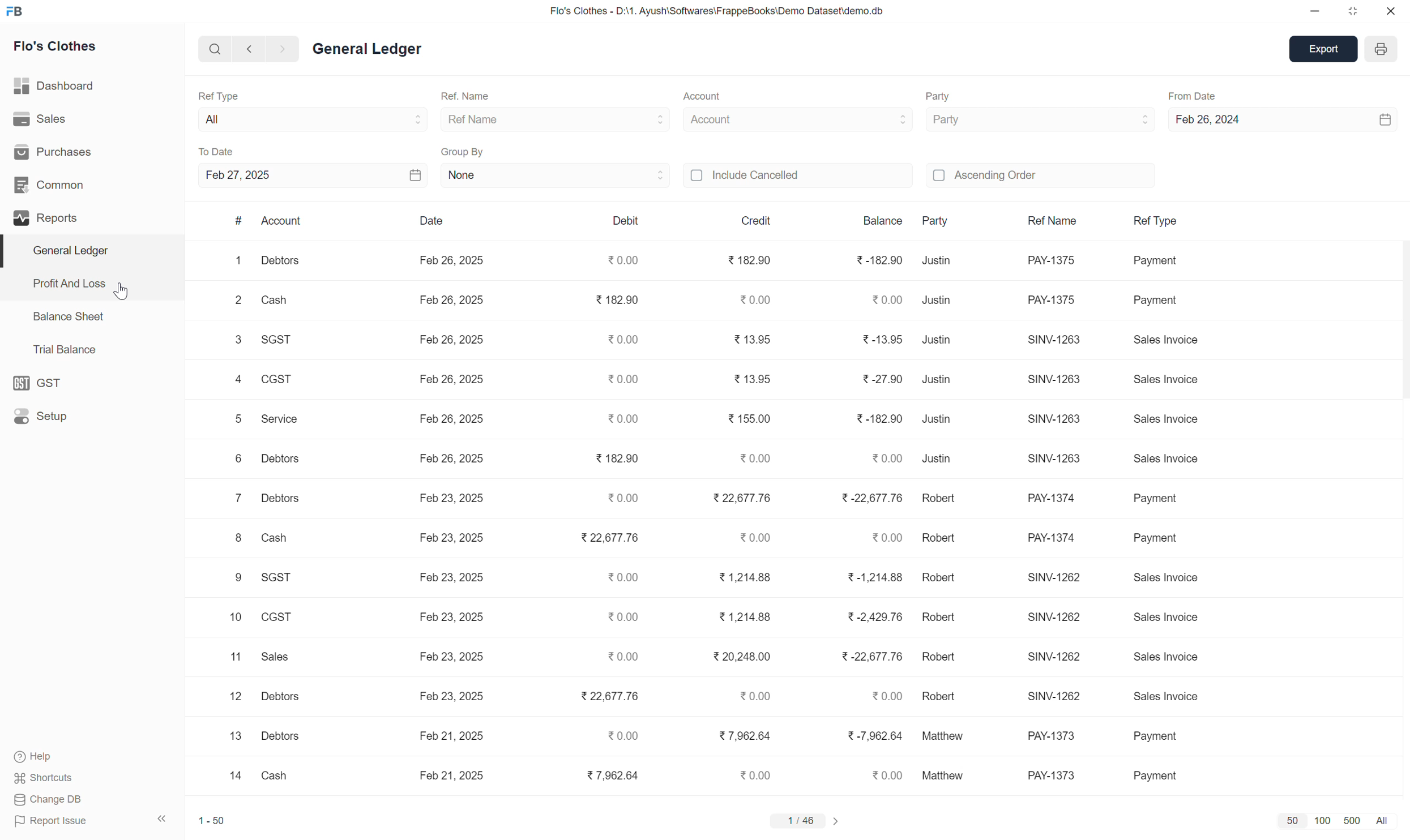 The width and height of the screenshot is (1410, 840). Describe the element at coordinates (274, 305) in the screenshot. I see `Cash` at that location.